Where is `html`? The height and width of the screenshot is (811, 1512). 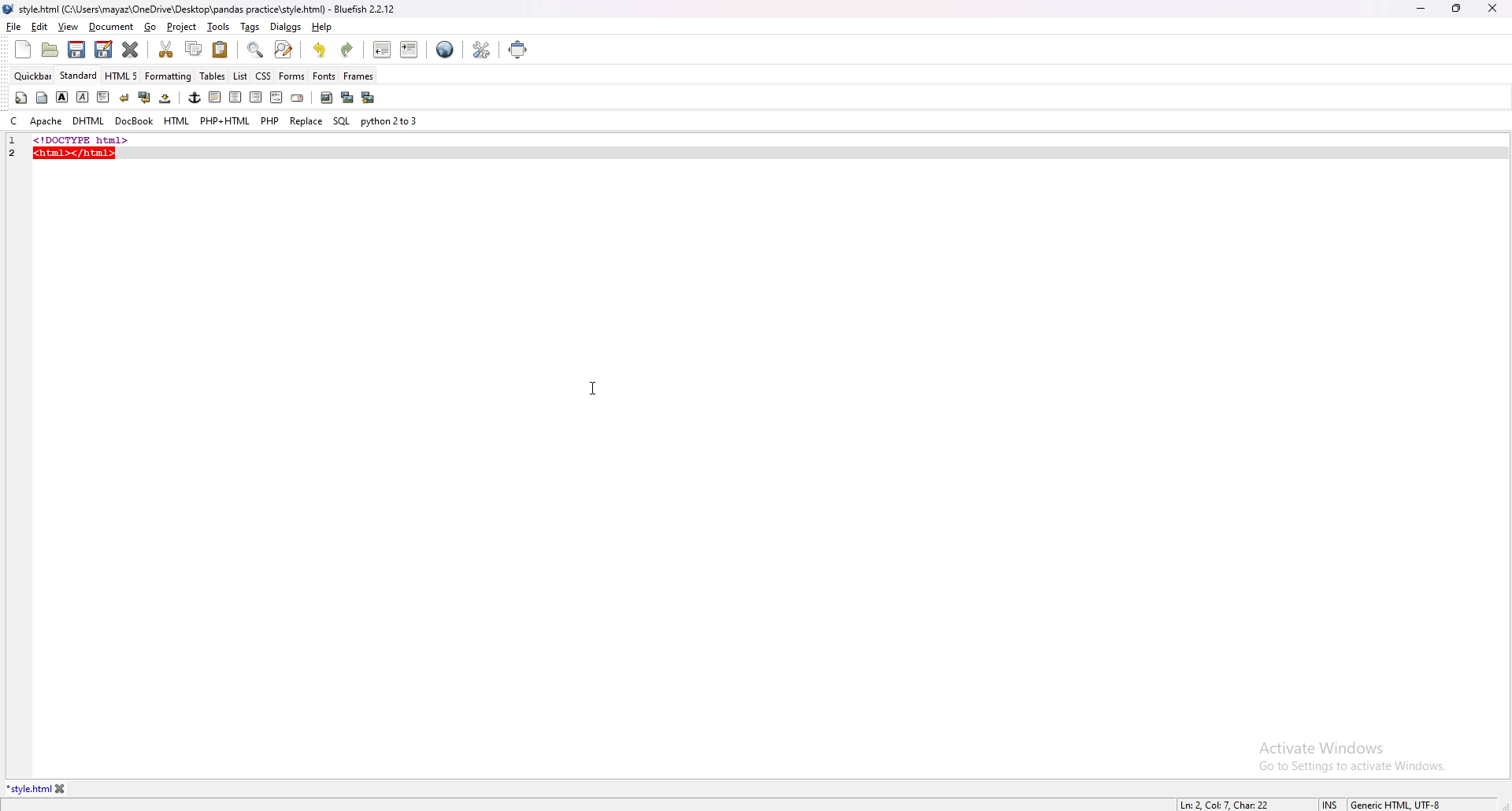 html is located at coordinates (177, 121).